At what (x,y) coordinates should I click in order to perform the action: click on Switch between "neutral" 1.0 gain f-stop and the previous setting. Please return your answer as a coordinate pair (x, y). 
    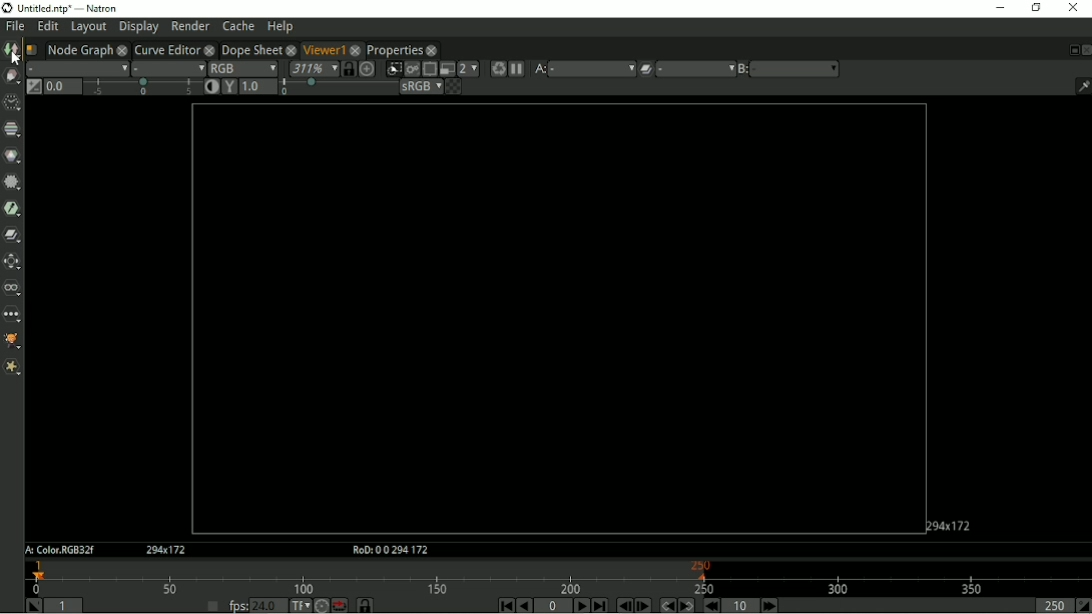
    Looking at the image, I should click on (33, 87).